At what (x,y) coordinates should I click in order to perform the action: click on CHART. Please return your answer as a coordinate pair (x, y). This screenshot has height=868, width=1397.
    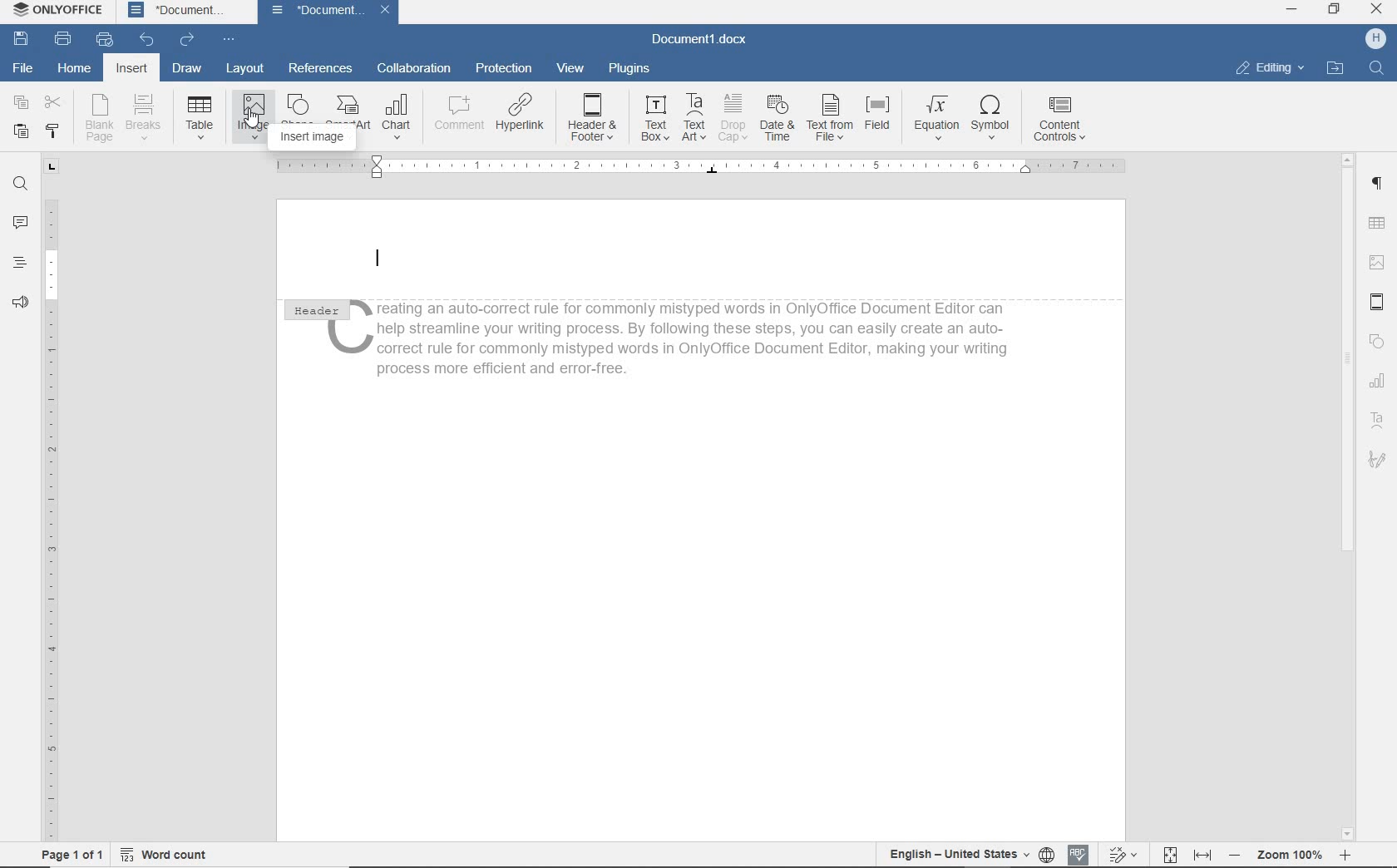
    Looking at the image, I should click on (399, 120).